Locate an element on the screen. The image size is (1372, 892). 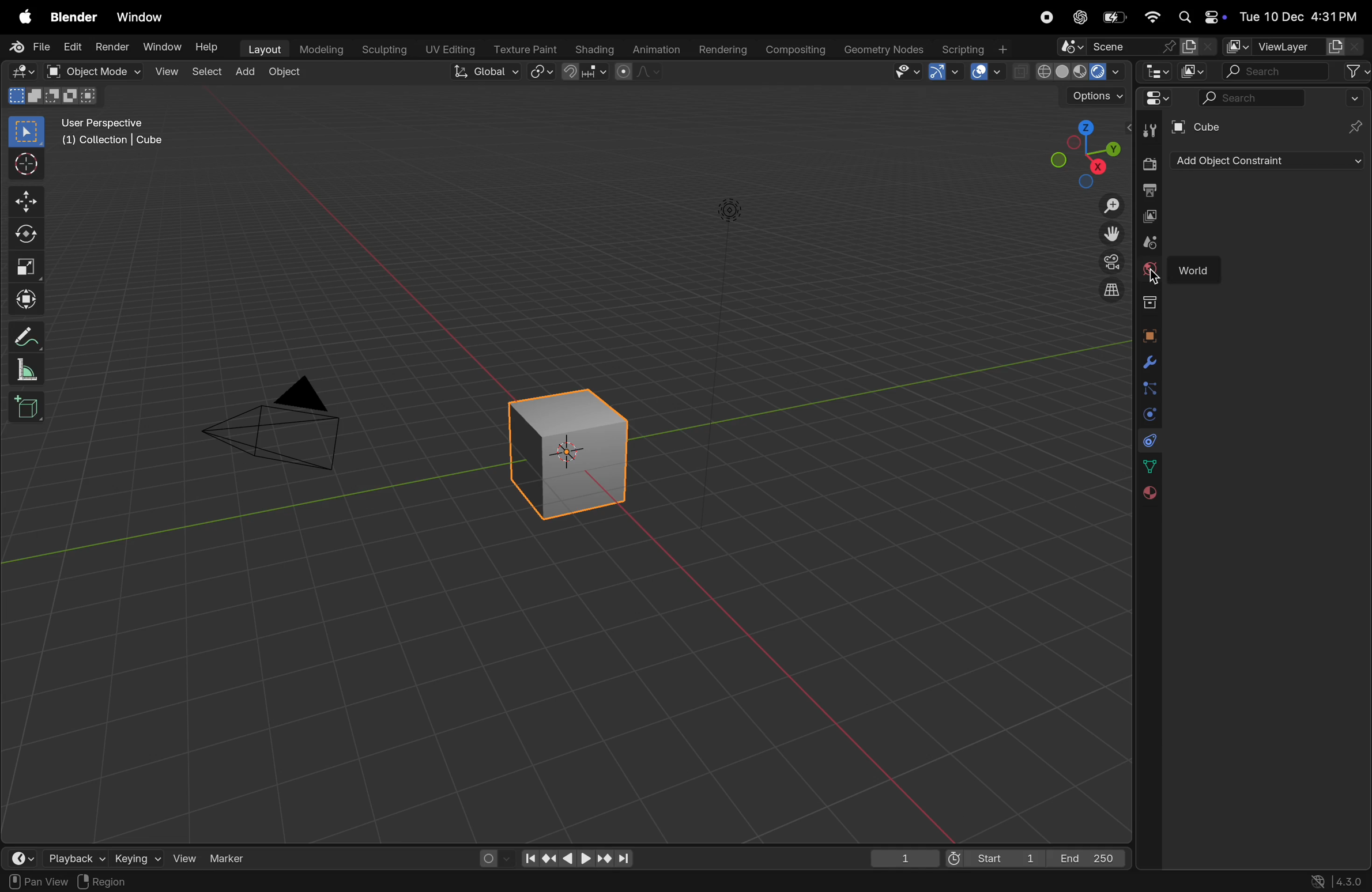
record is located at coordinates (1050, 19).